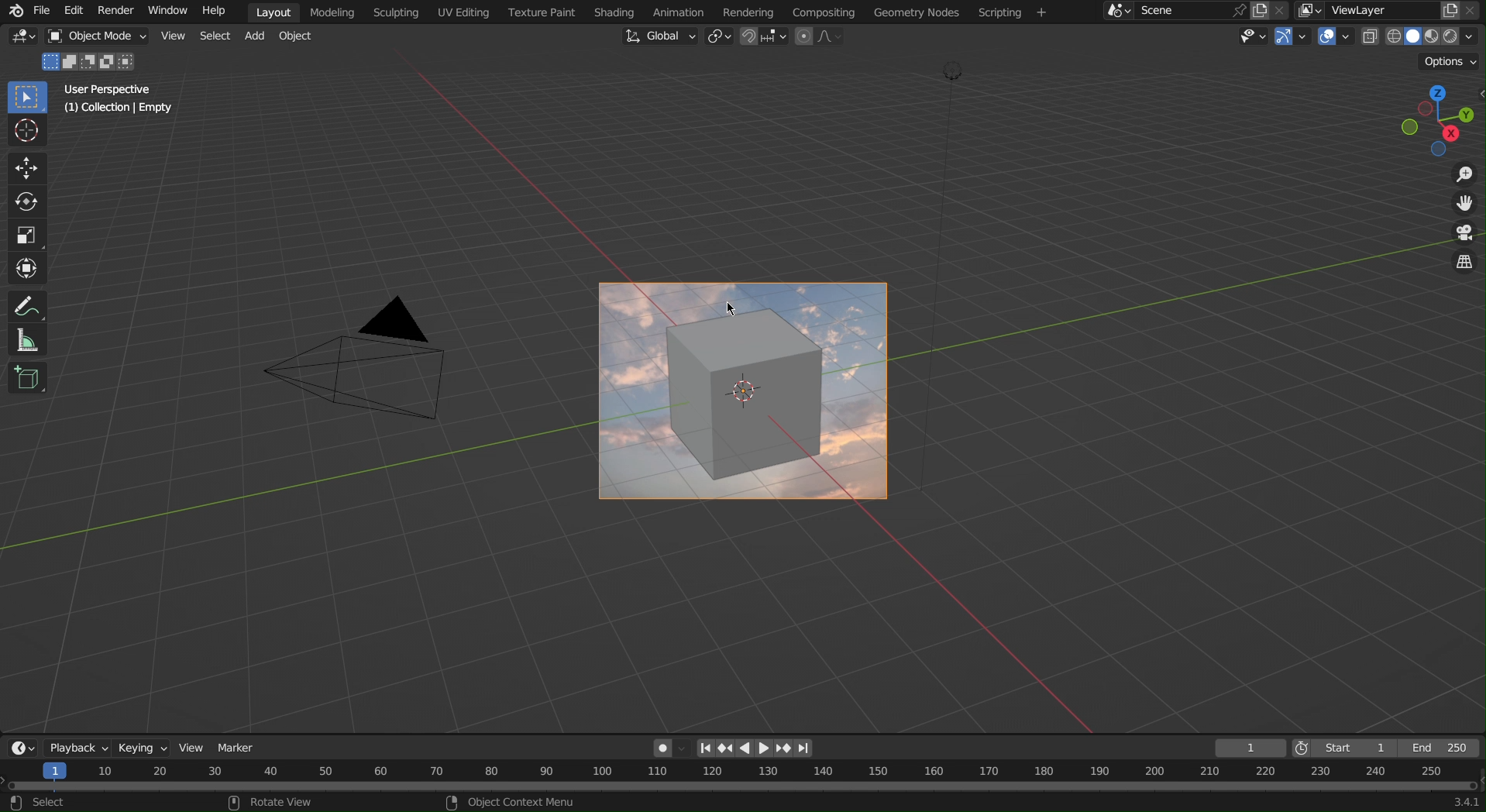  What do you see at coordinates (25, 341) in the screenshot?
I see `Measure` at bounding box center [25, 341].